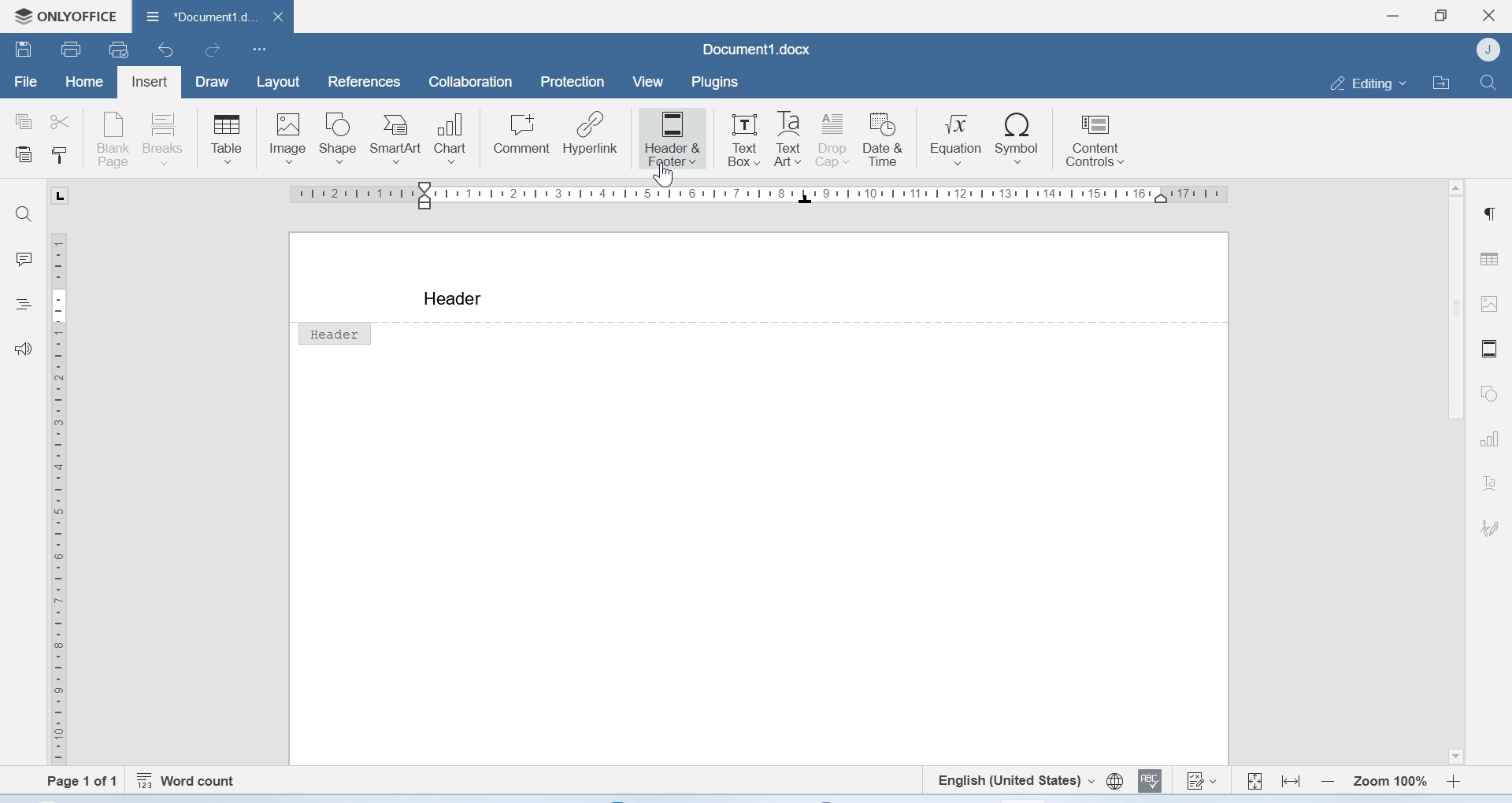  I want to click on Headrer, so click(335, 335).